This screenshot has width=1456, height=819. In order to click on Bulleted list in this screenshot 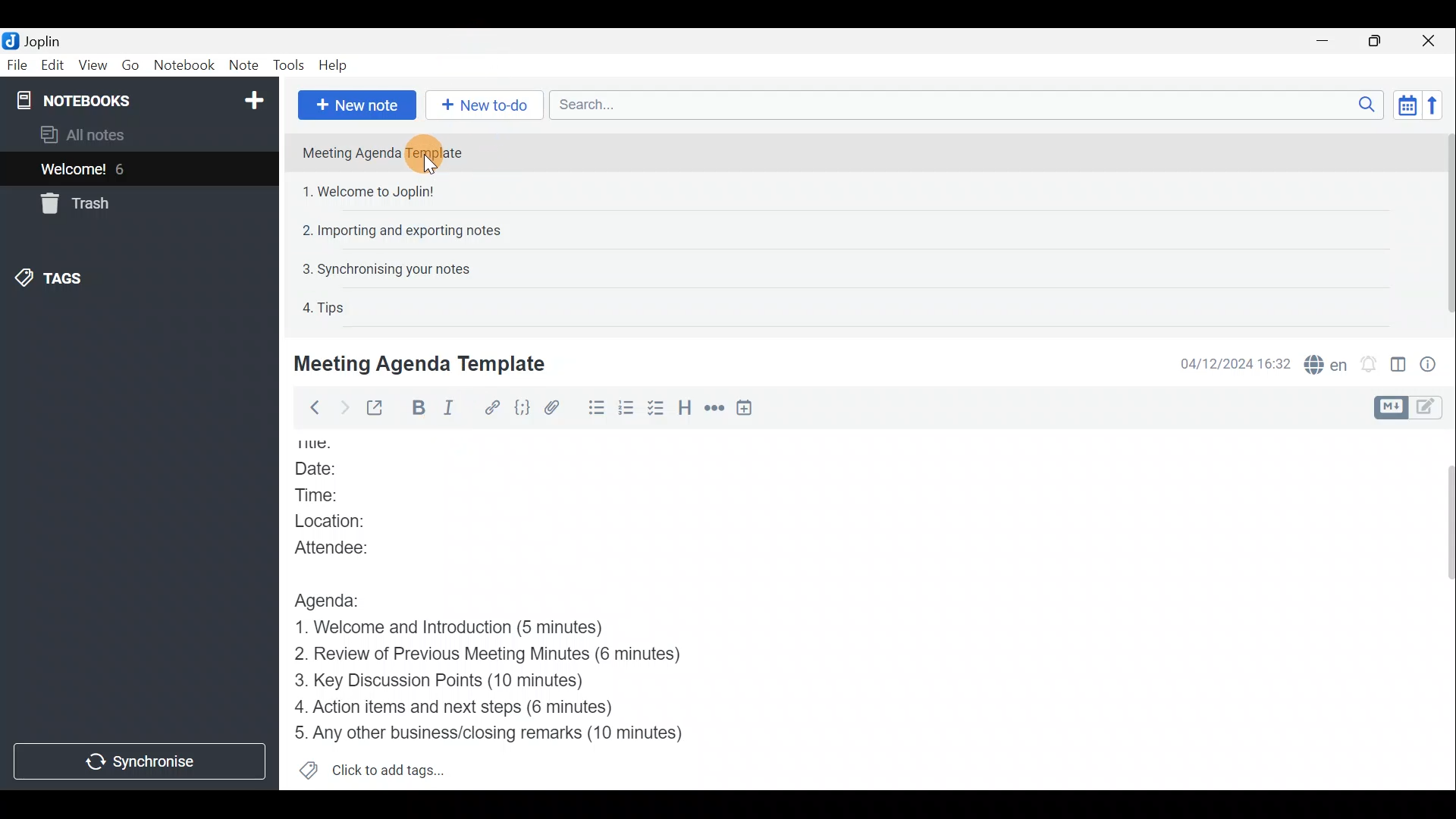, I will do `click(595, 408)`.